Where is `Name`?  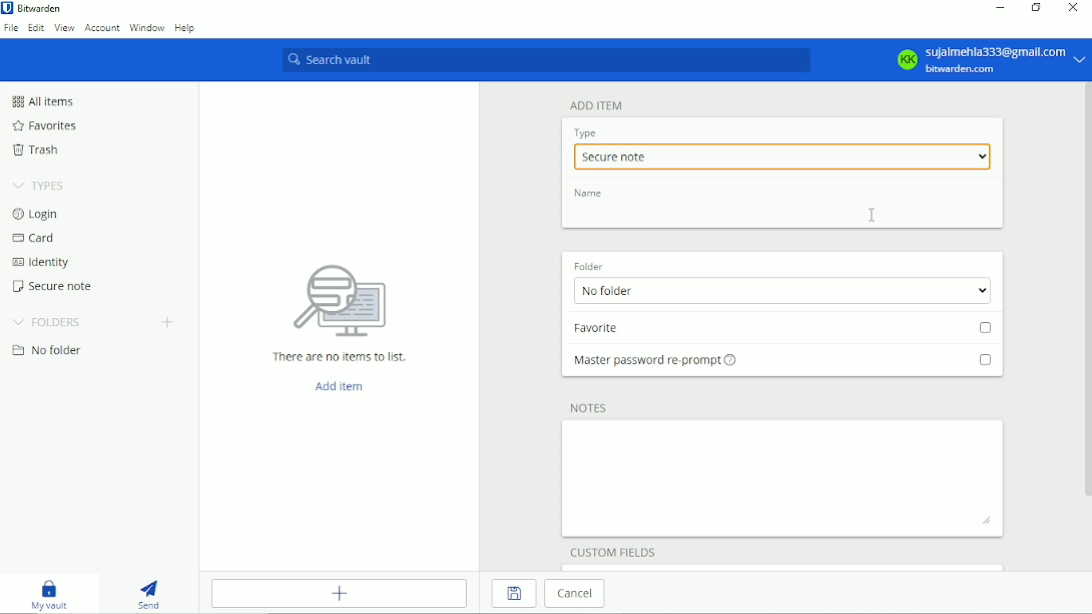 Name is located at coordinates (590, 193).